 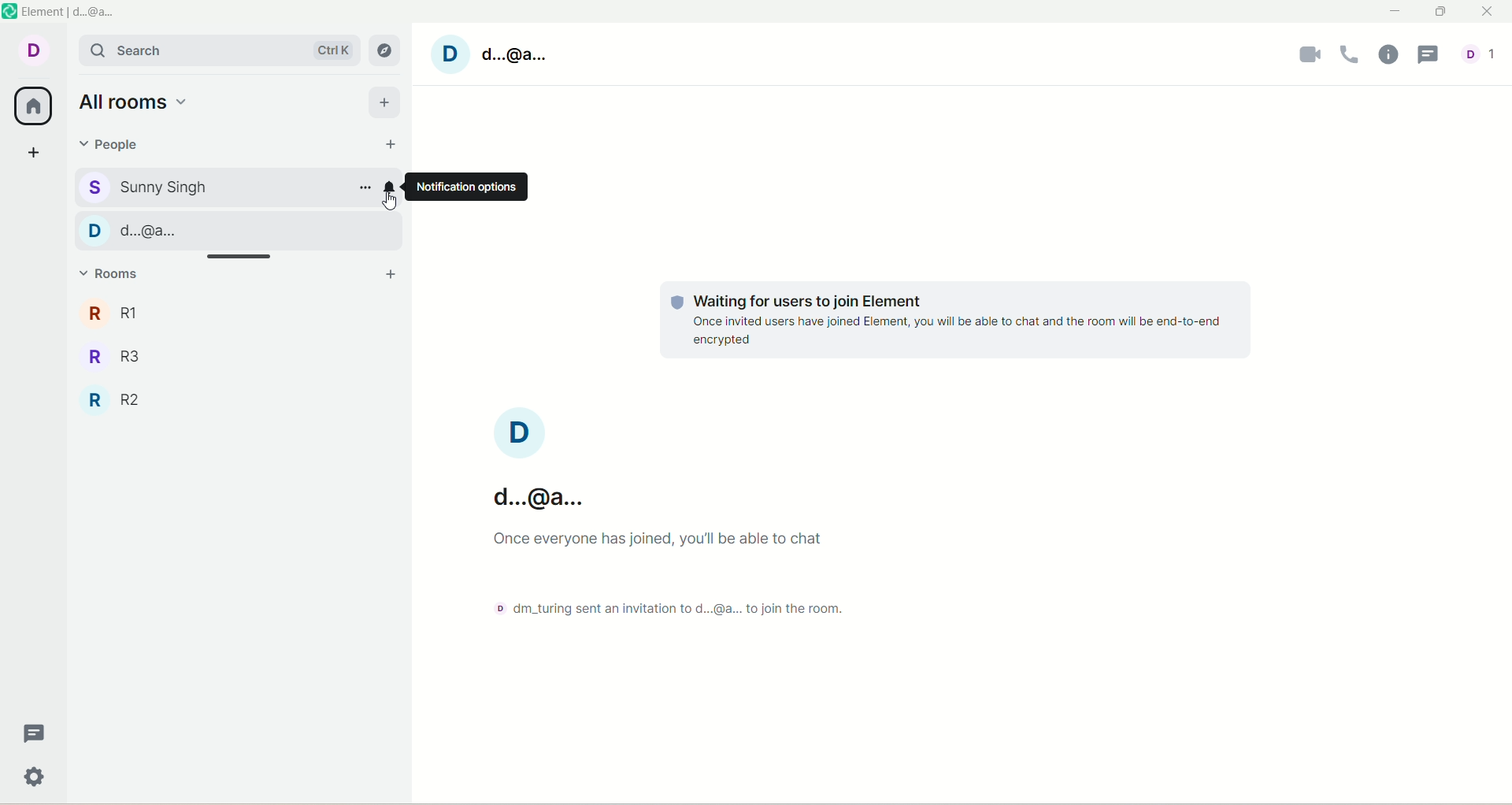 I want to click on logo, so click(x=10, y=12).